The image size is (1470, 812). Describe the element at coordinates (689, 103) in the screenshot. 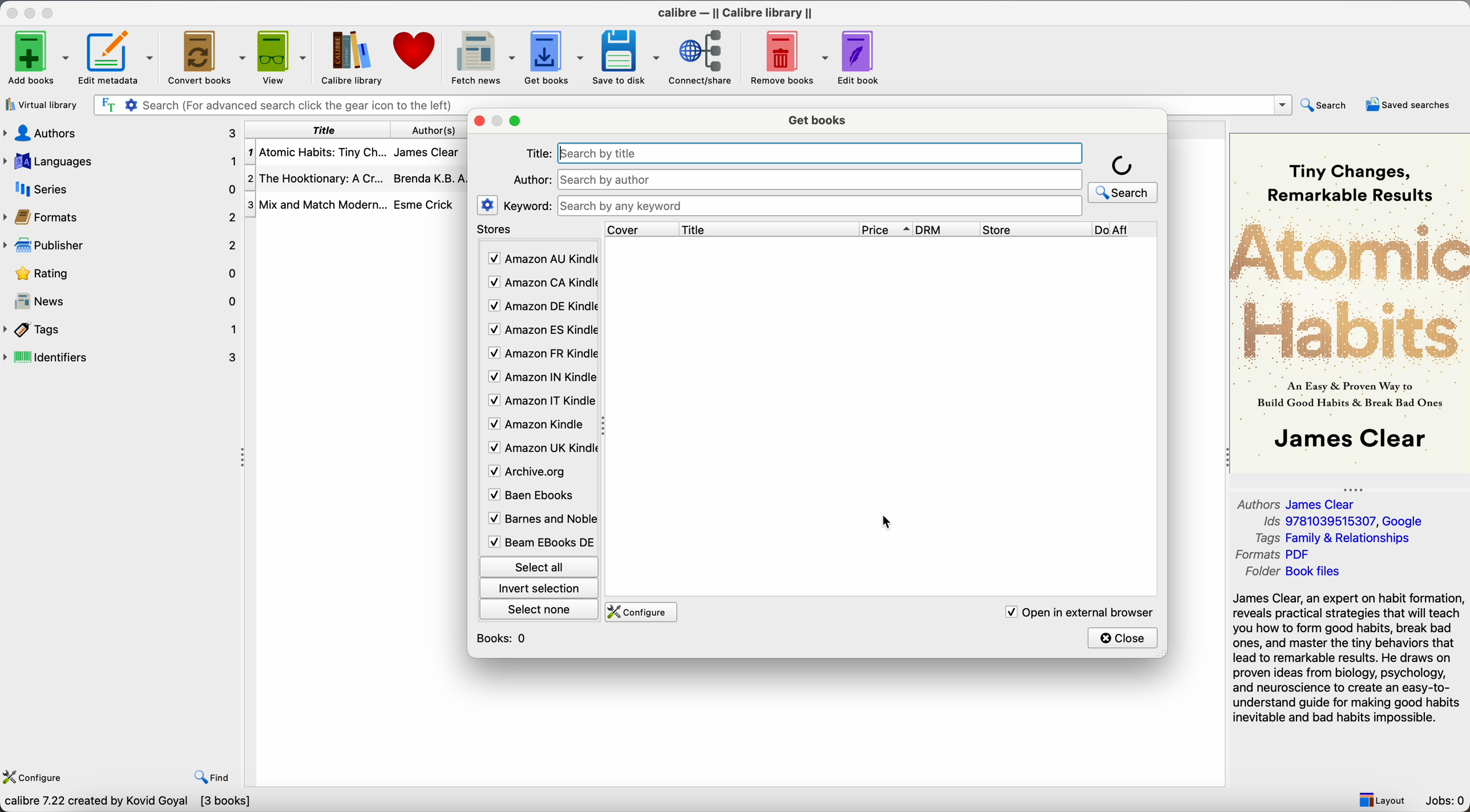

I see `search bar` at that location.